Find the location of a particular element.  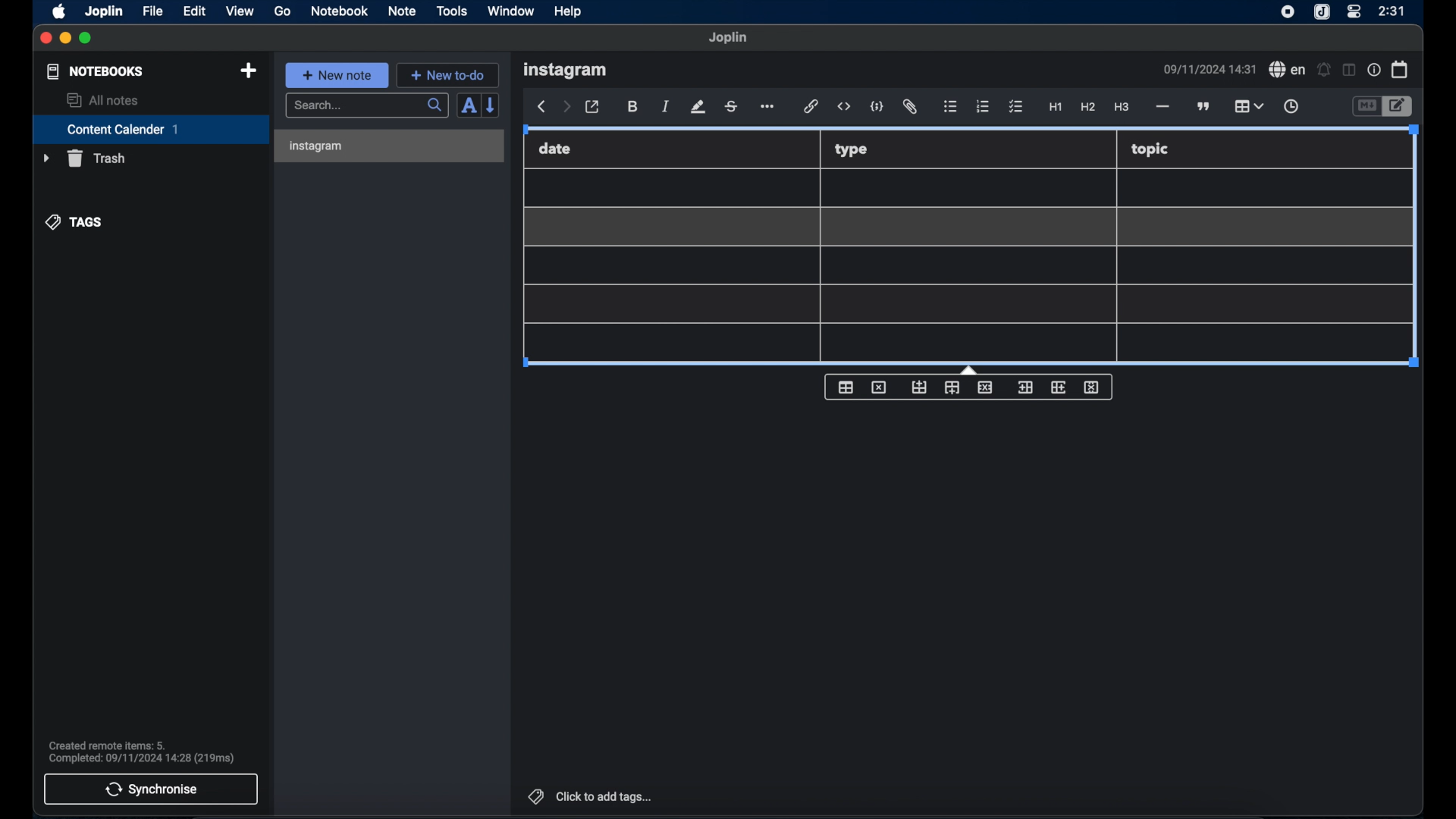

trash is located at coordinates (84, 158).